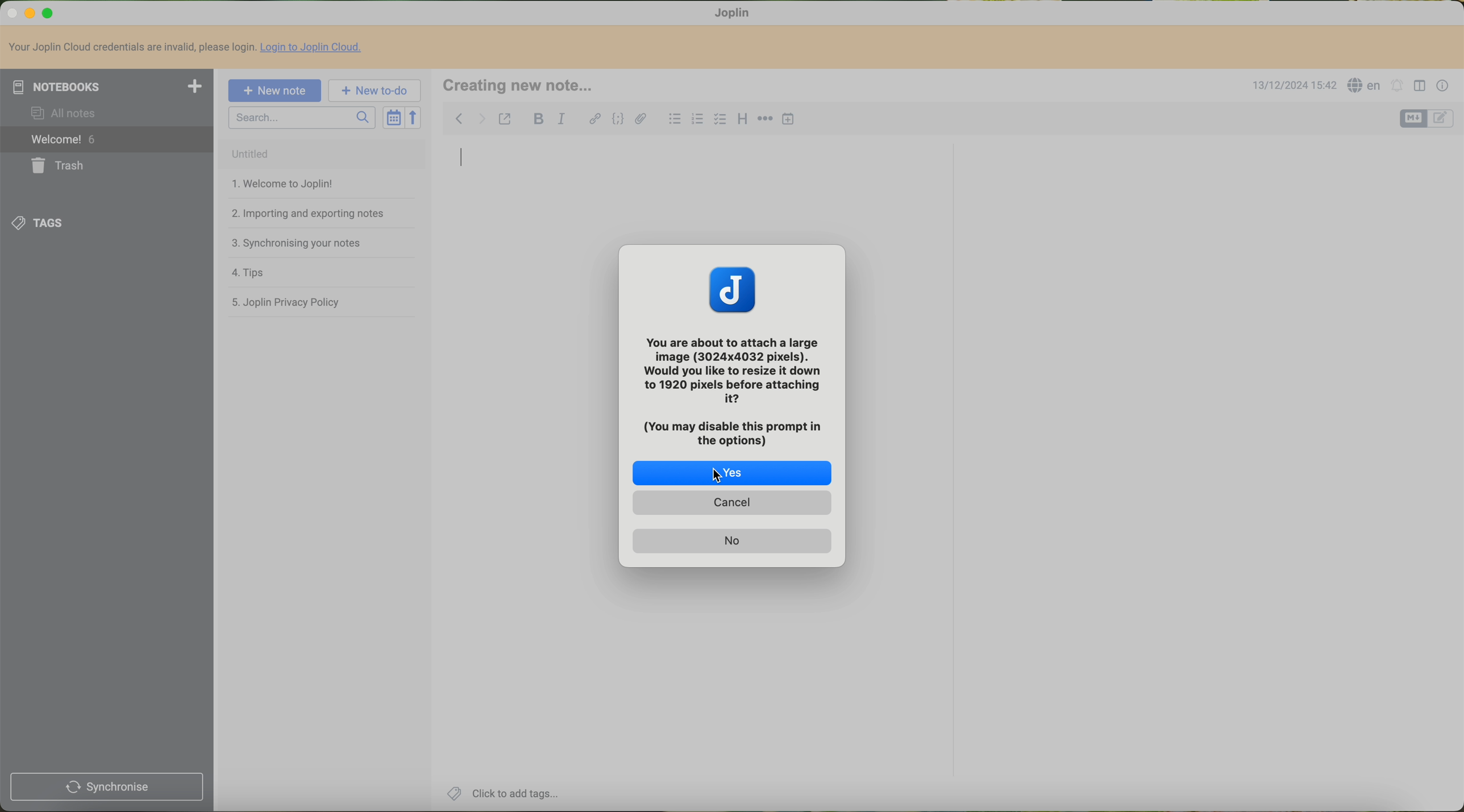 The height and width of the screenshot is (812, 1464). Describe the element at coordinates (719, 119) in the screenshot. I see `checkbox` at that location.